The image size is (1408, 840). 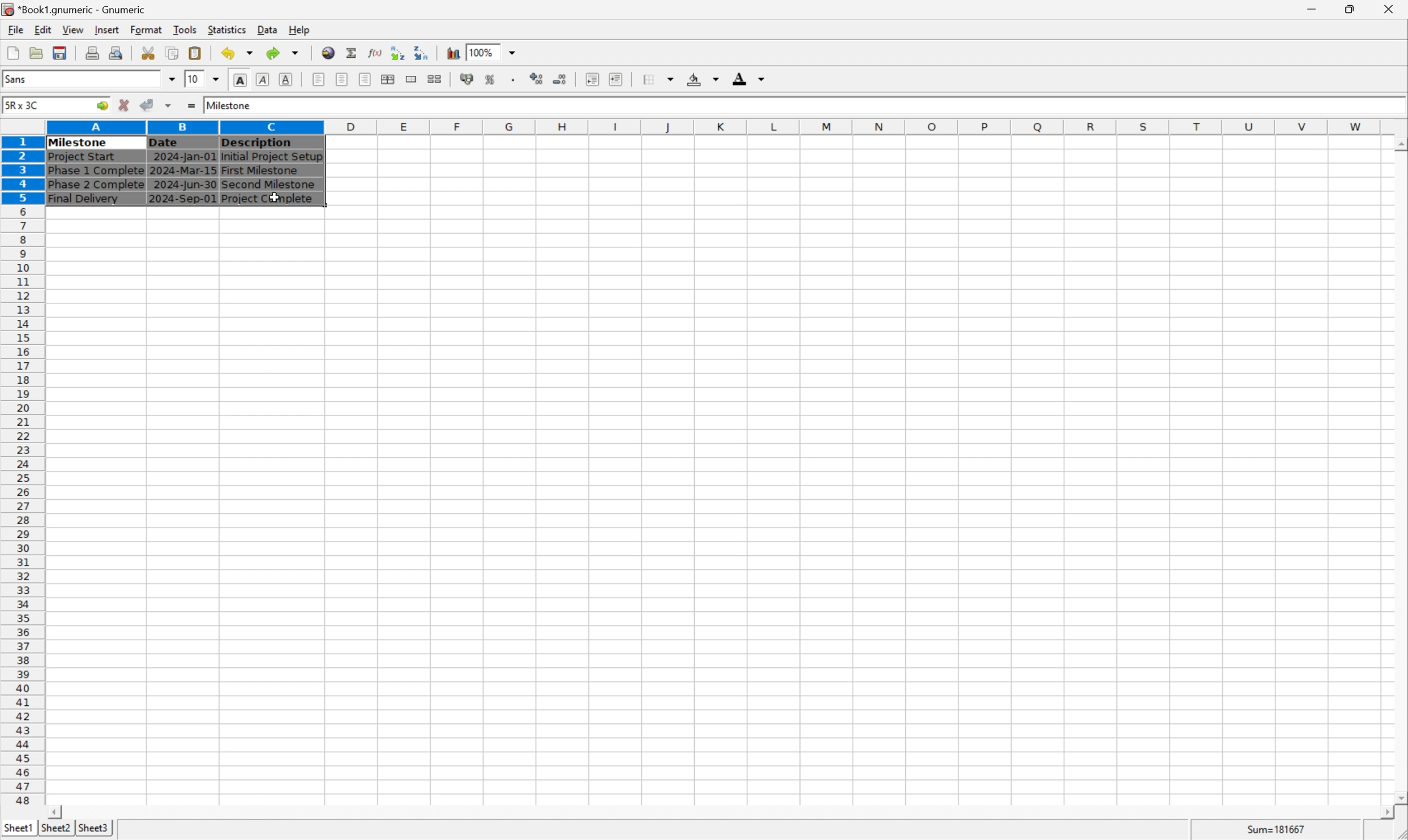 What do you see at coordinates (1390, 7) in the screenshot?
I see `close` at bounding box center [1390, 7].